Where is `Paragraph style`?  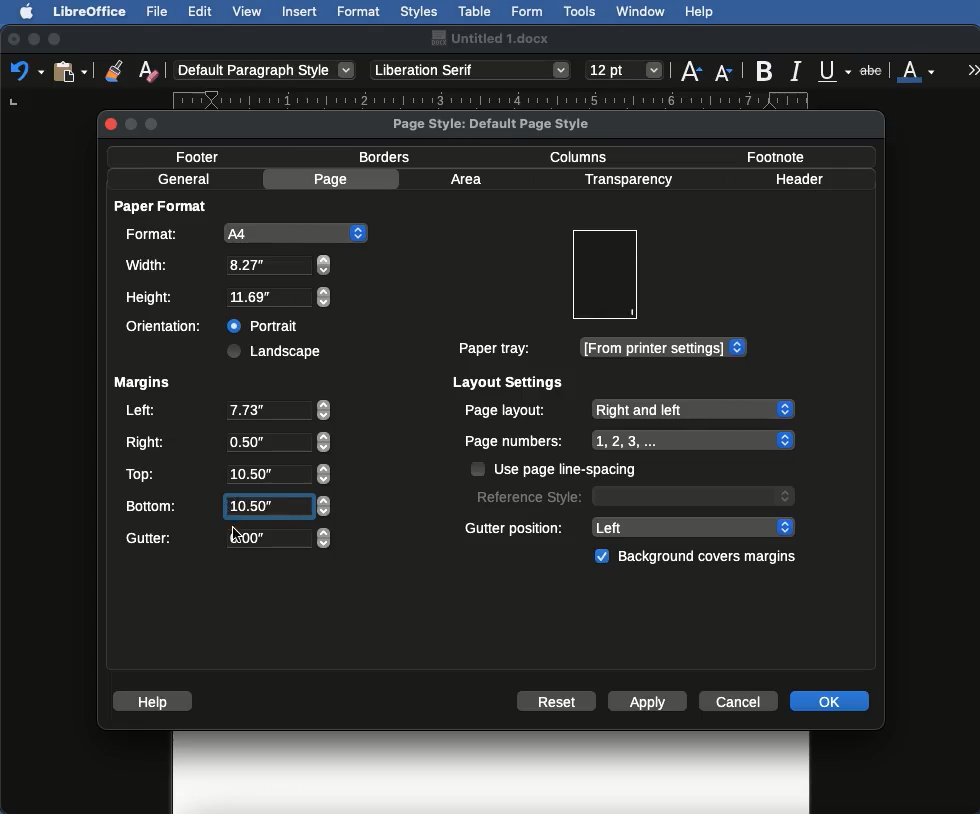
Paragraph style is located at coordinates (266, 70).